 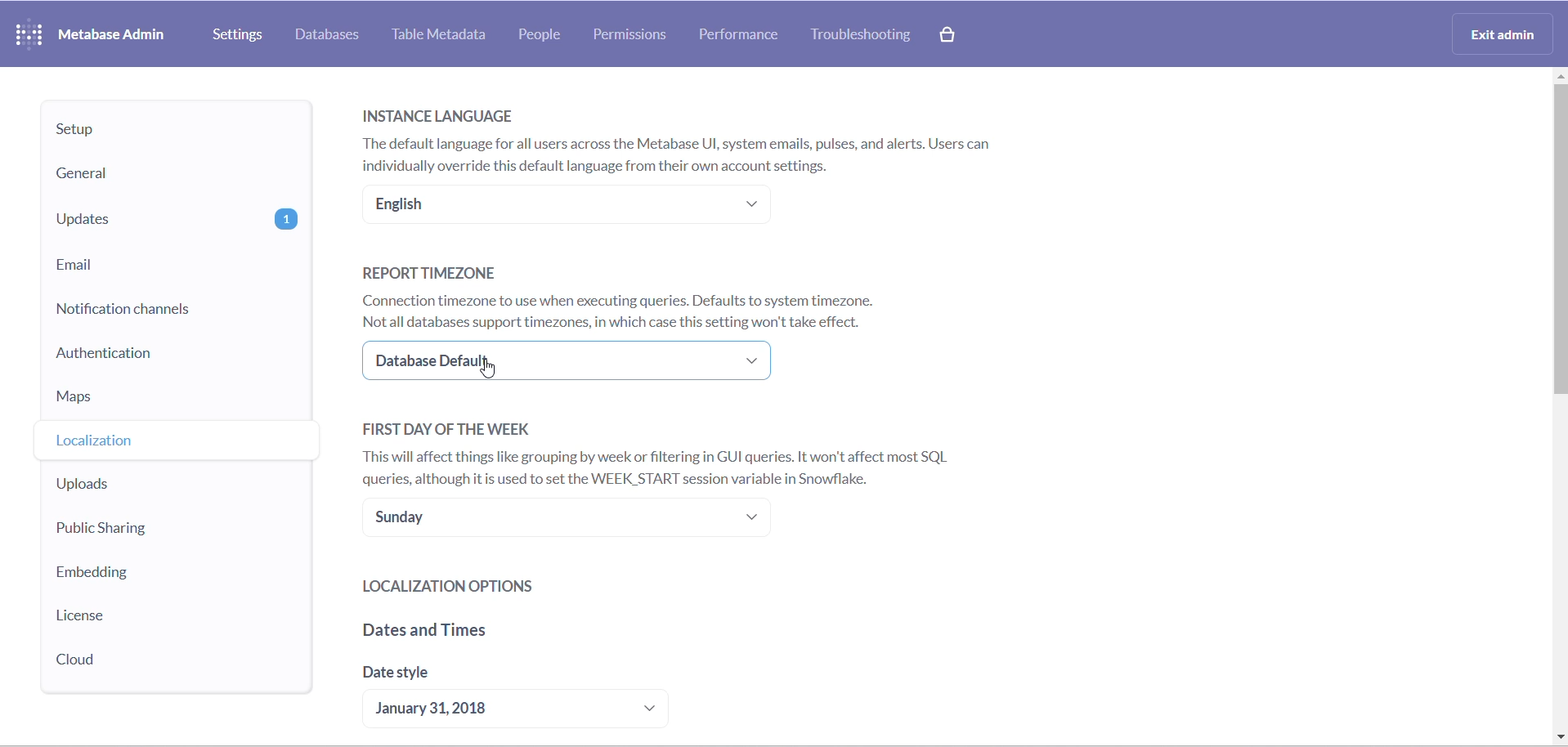 What do you see at coordinates (1558, 737) in the screenshot?
I see `move down` at bounding box center [1558, 737].